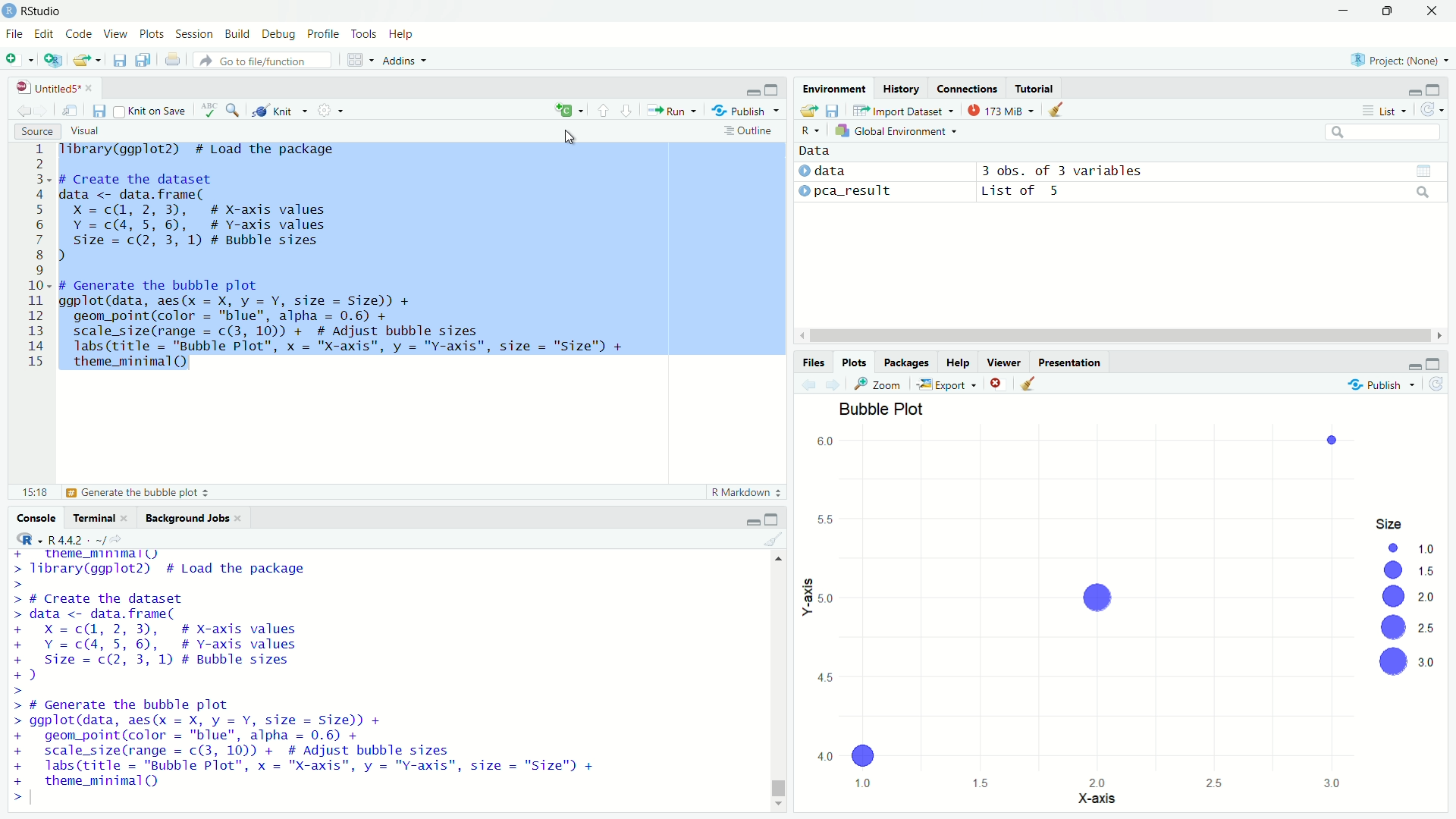 The height and width of the screenshot is (819, 1456). What do you see at coordinates (38, 517) in the screenshot?
I see `Console` at bounding box center [38, 517].